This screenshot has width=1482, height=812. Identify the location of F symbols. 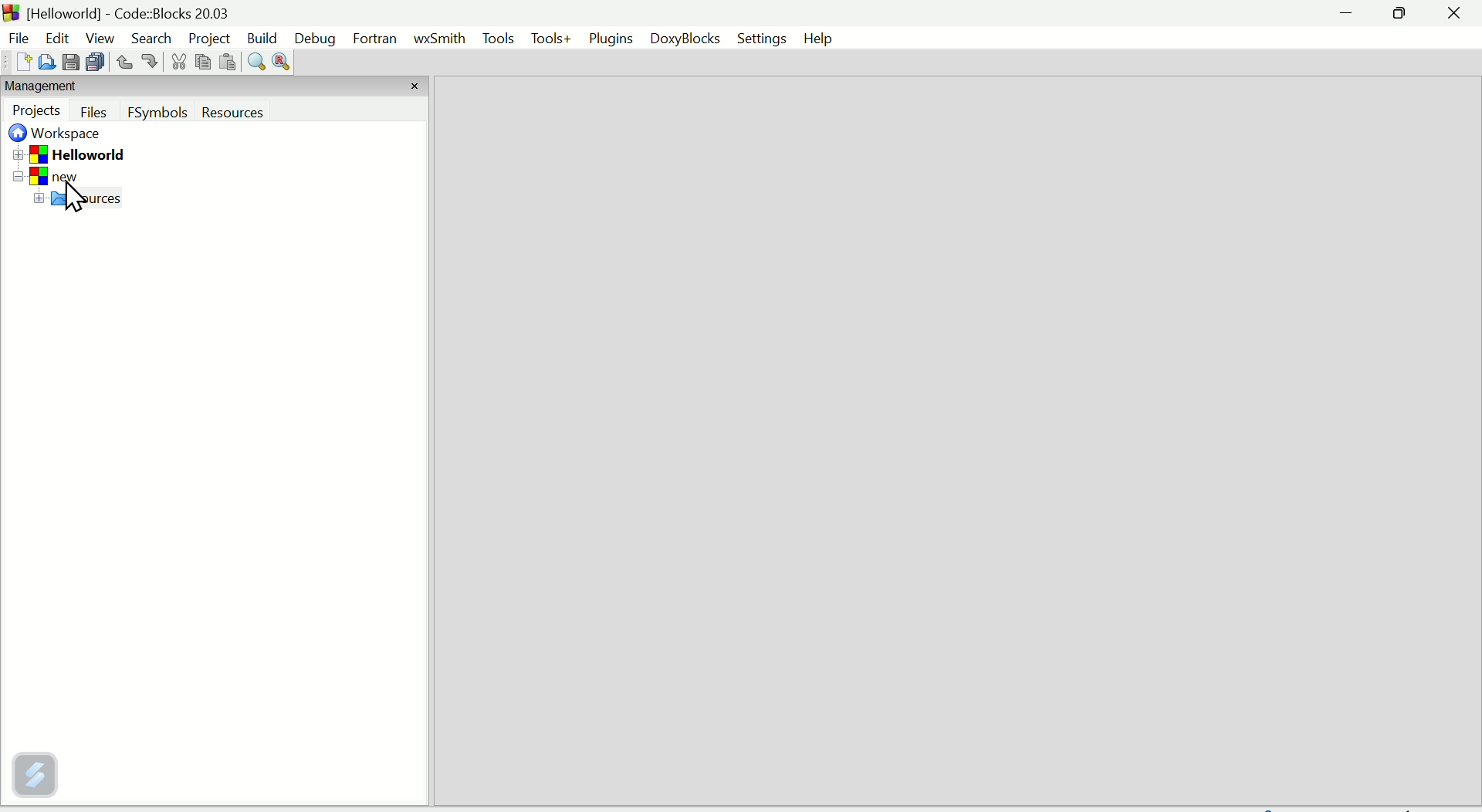
(158, 116).